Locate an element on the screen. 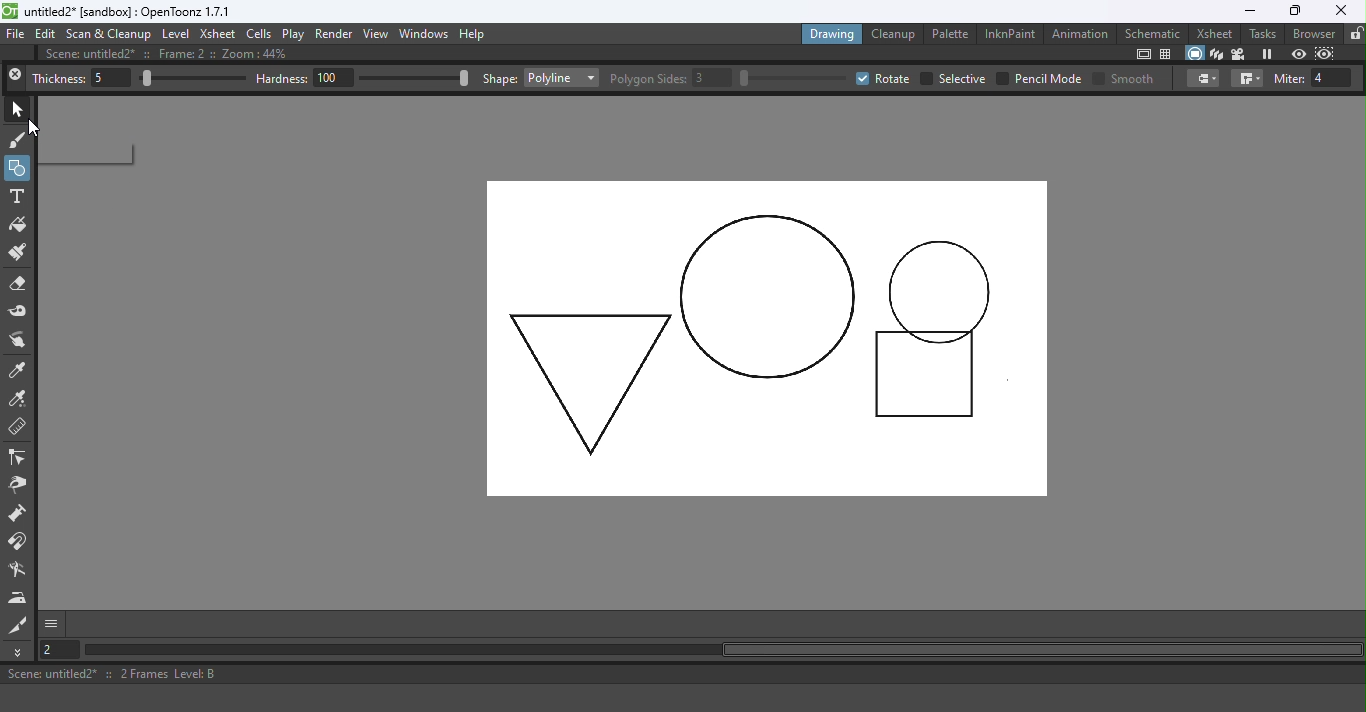 The image size is (1366, 712). Render is located at coordinates (335, 33).